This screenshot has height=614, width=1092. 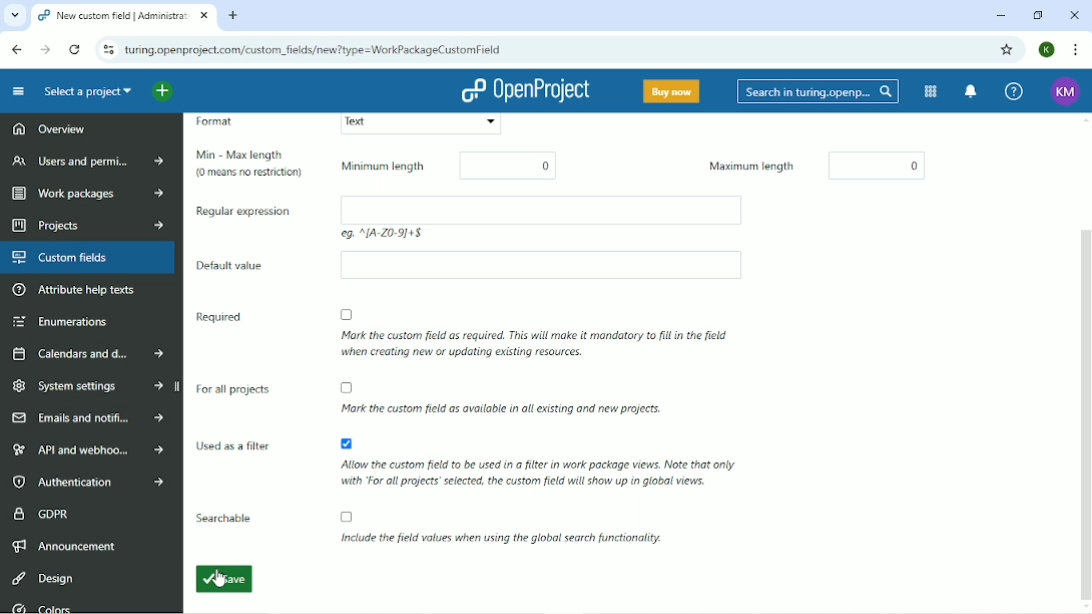 What do you see at coordinates (89, 355) in the screenshot?
I see `Calendars and dates` at bounding box center [89, 355].